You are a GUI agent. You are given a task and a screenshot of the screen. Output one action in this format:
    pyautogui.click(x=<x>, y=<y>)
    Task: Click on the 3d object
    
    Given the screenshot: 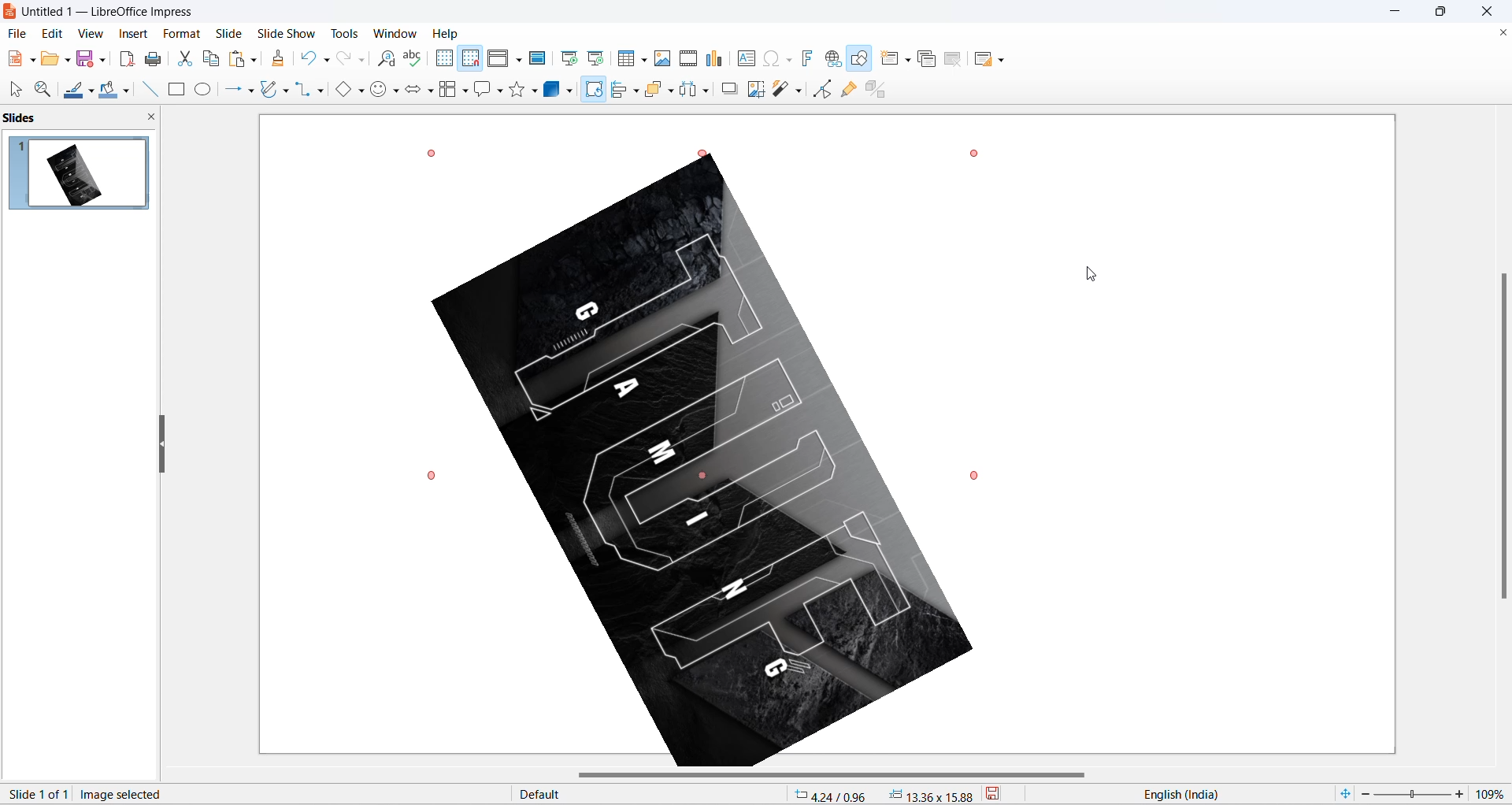 What is the action you would take?
    pyautogui.click(x=561, y=90)
    